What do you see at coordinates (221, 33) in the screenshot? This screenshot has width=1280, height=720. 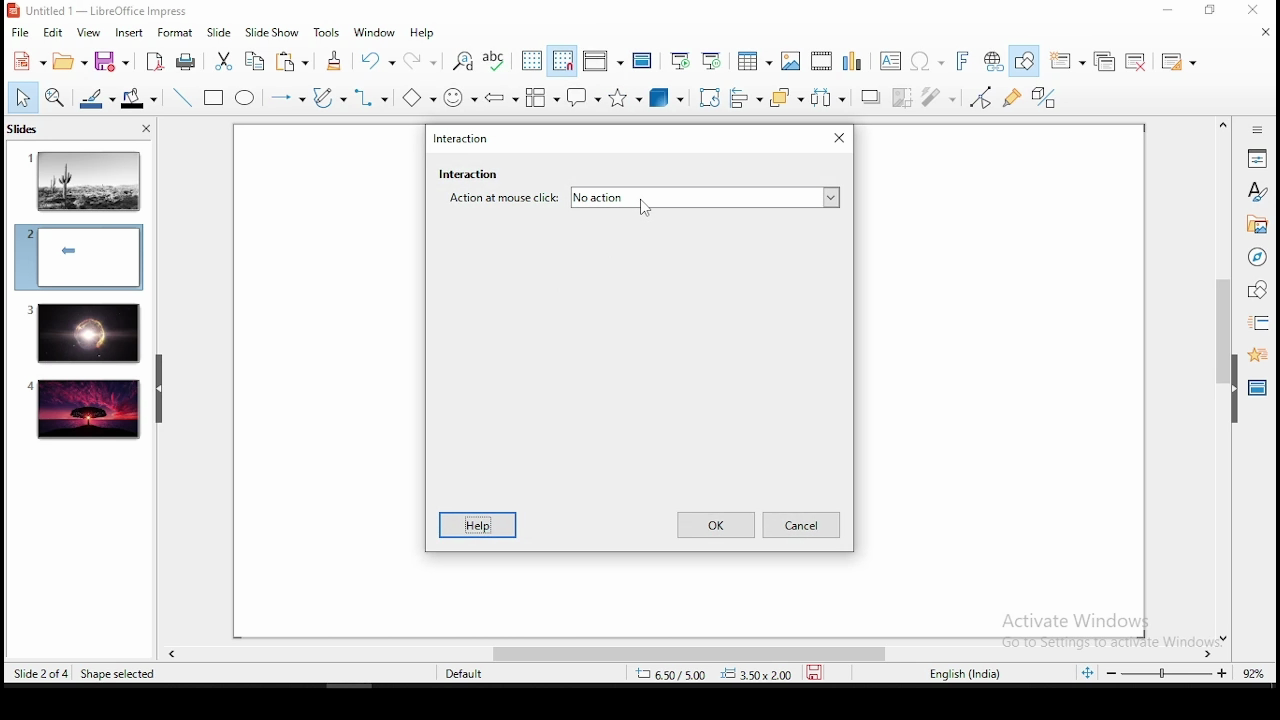 I see `slide` at bounding box center [221, 33].